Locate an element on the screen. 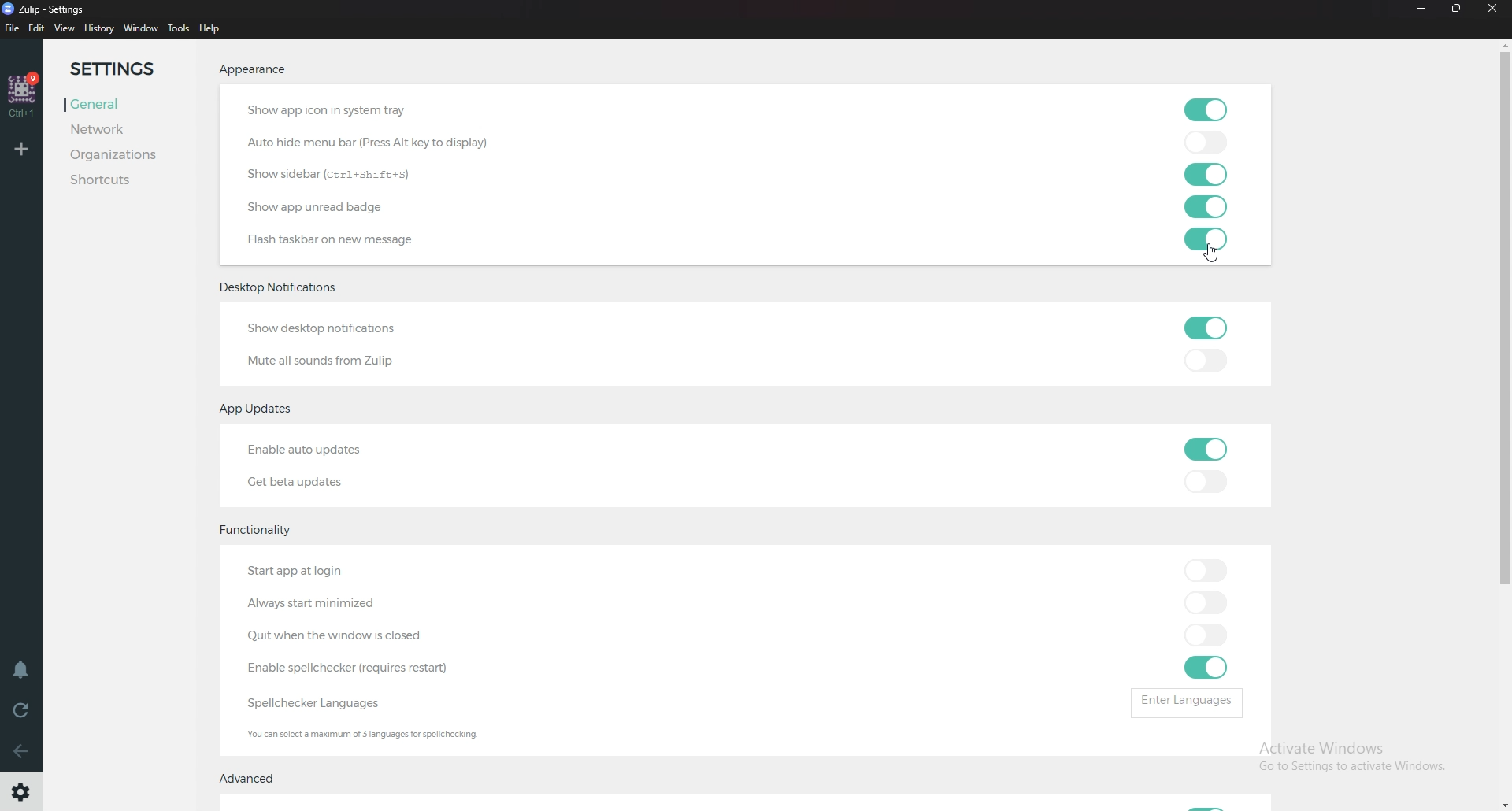  Always start minimized is located at coordinates (328, 604).